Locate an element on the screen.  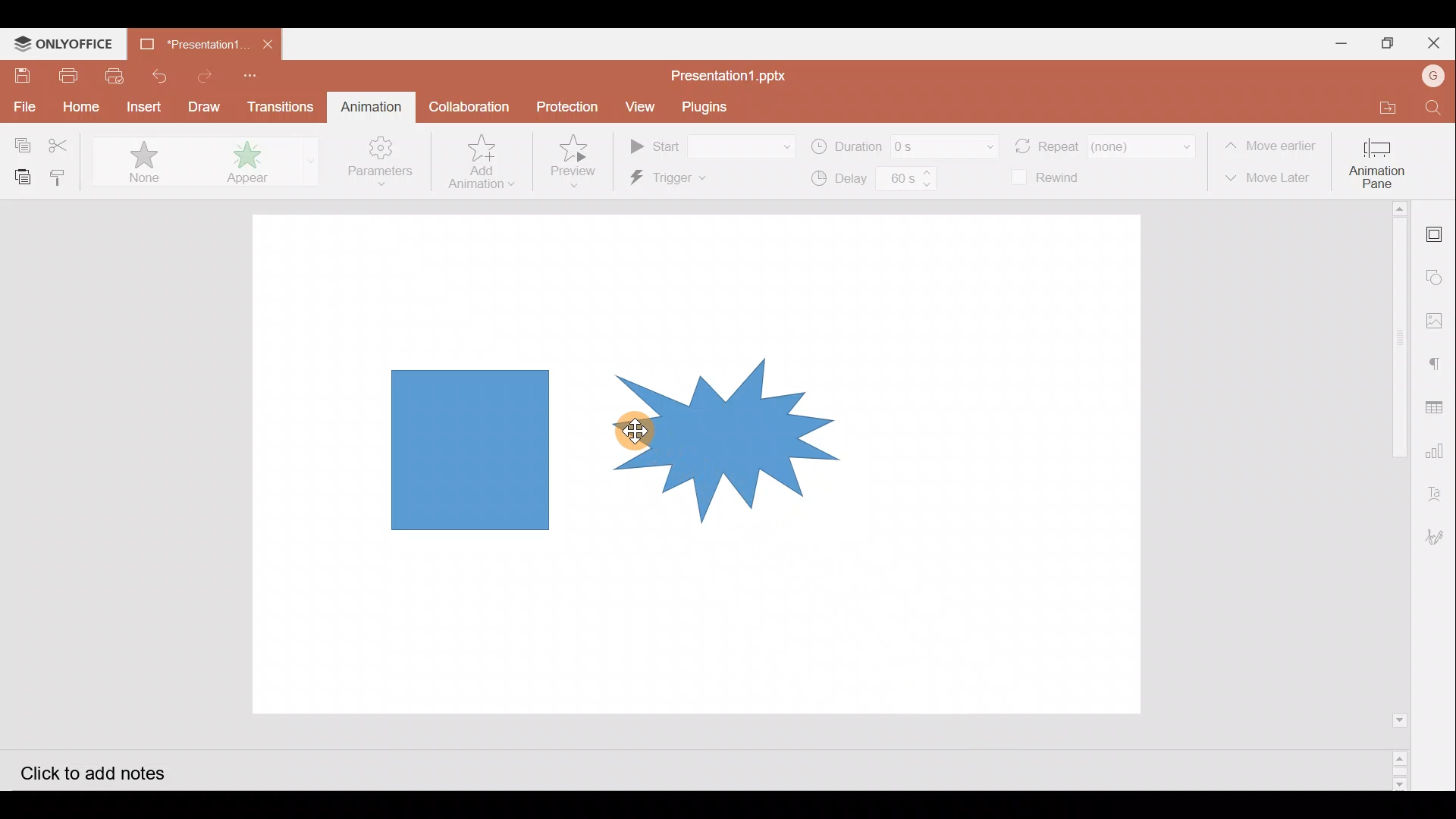
File is located at coordinates (22, 105).